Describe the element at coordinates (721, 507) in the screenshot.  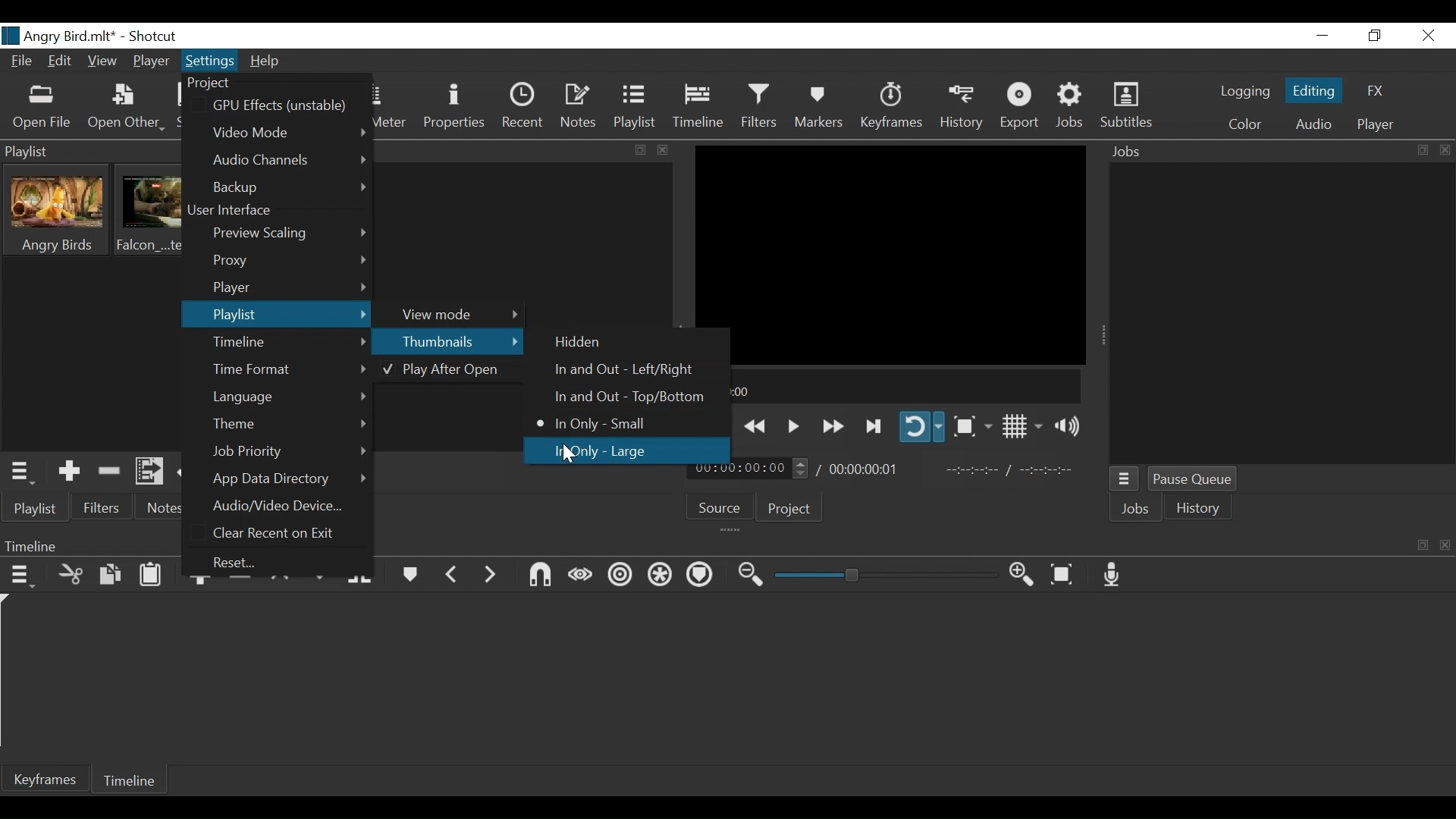
I see `Source` at that location.